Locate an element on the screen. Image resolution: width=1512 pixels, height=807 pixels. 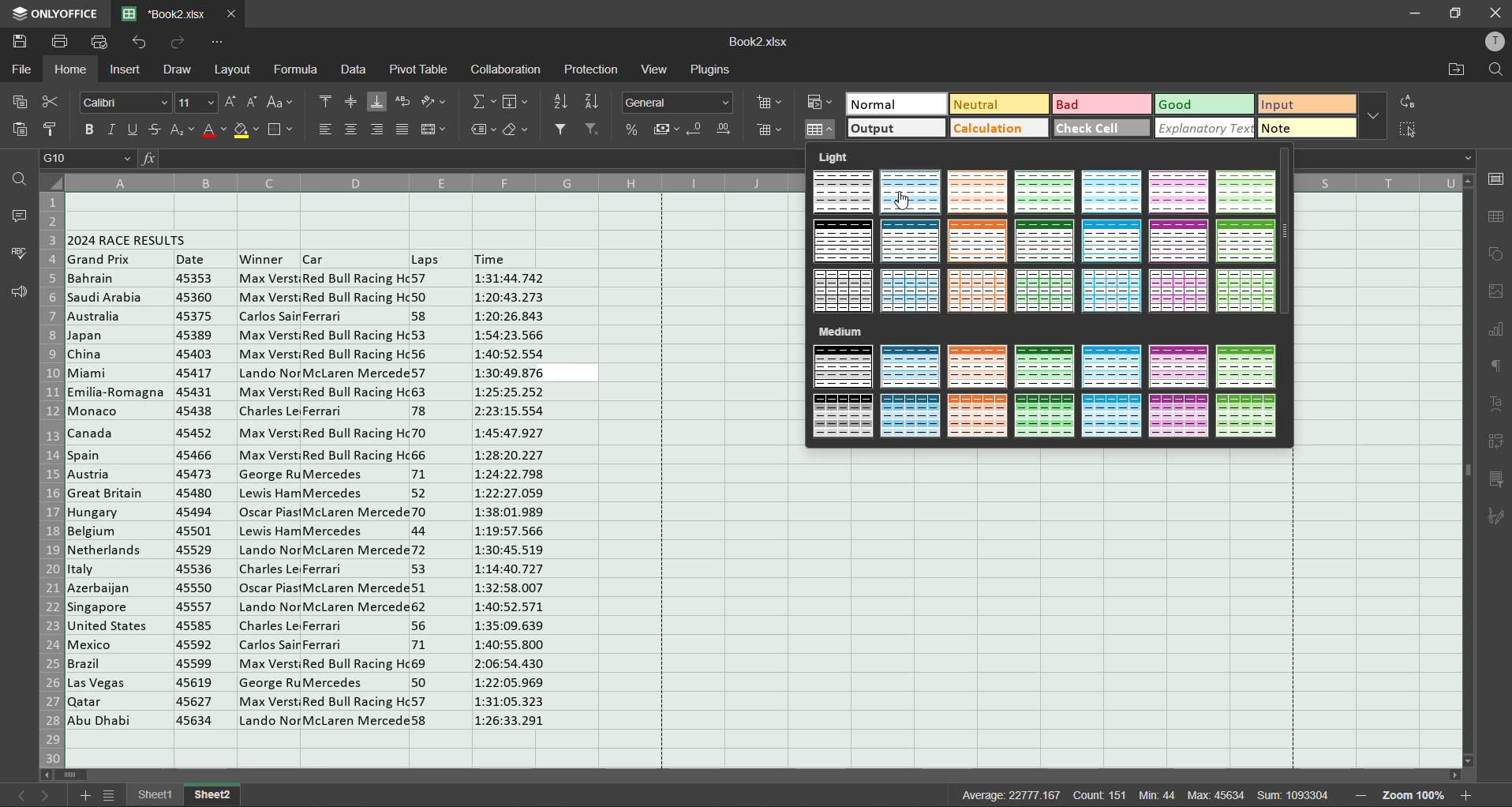
decrease decimal is located at coordinates (698, 129).